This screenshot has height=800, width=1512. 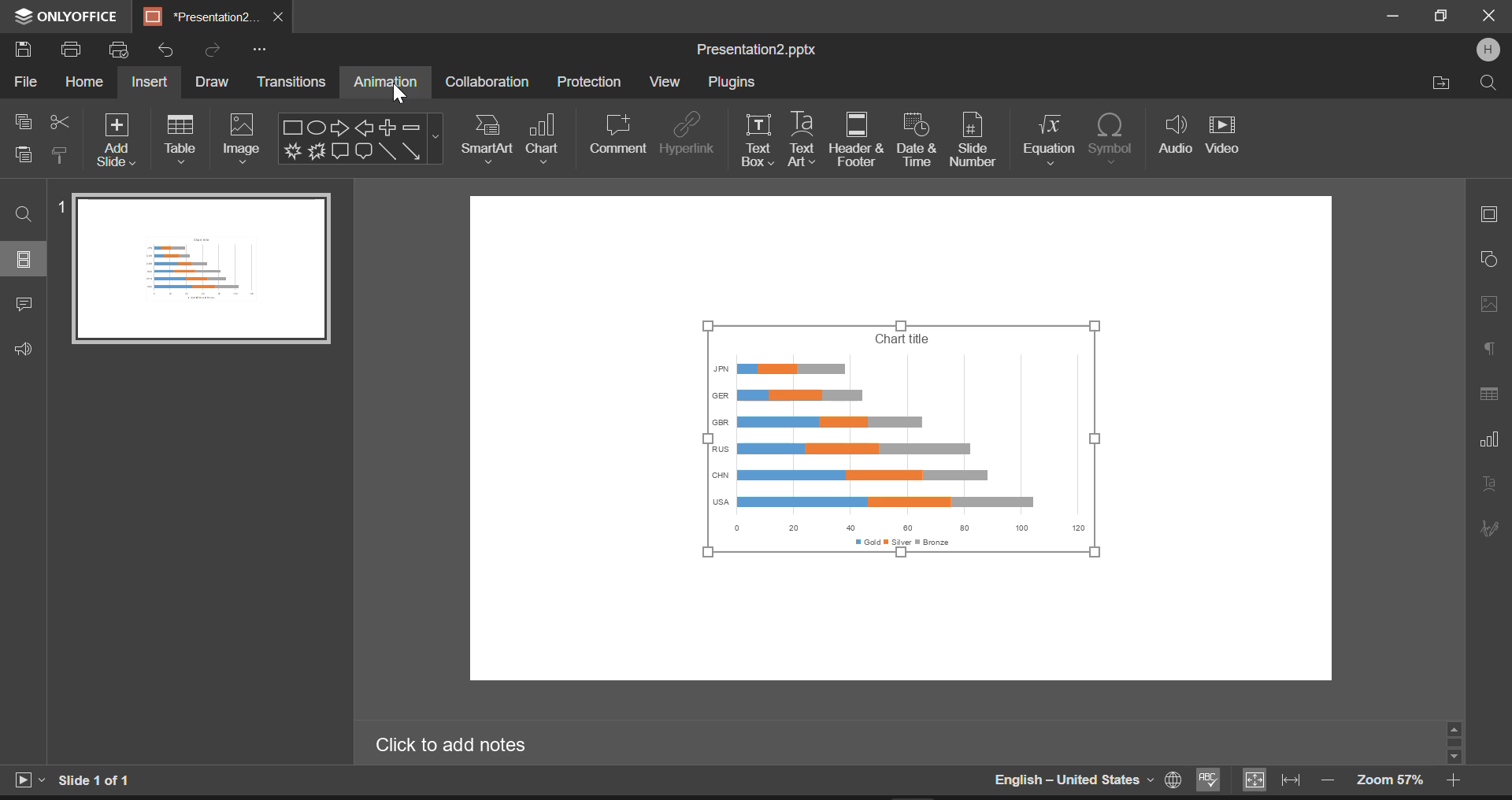 I want to click on Close, so click(x=1488, y=17).